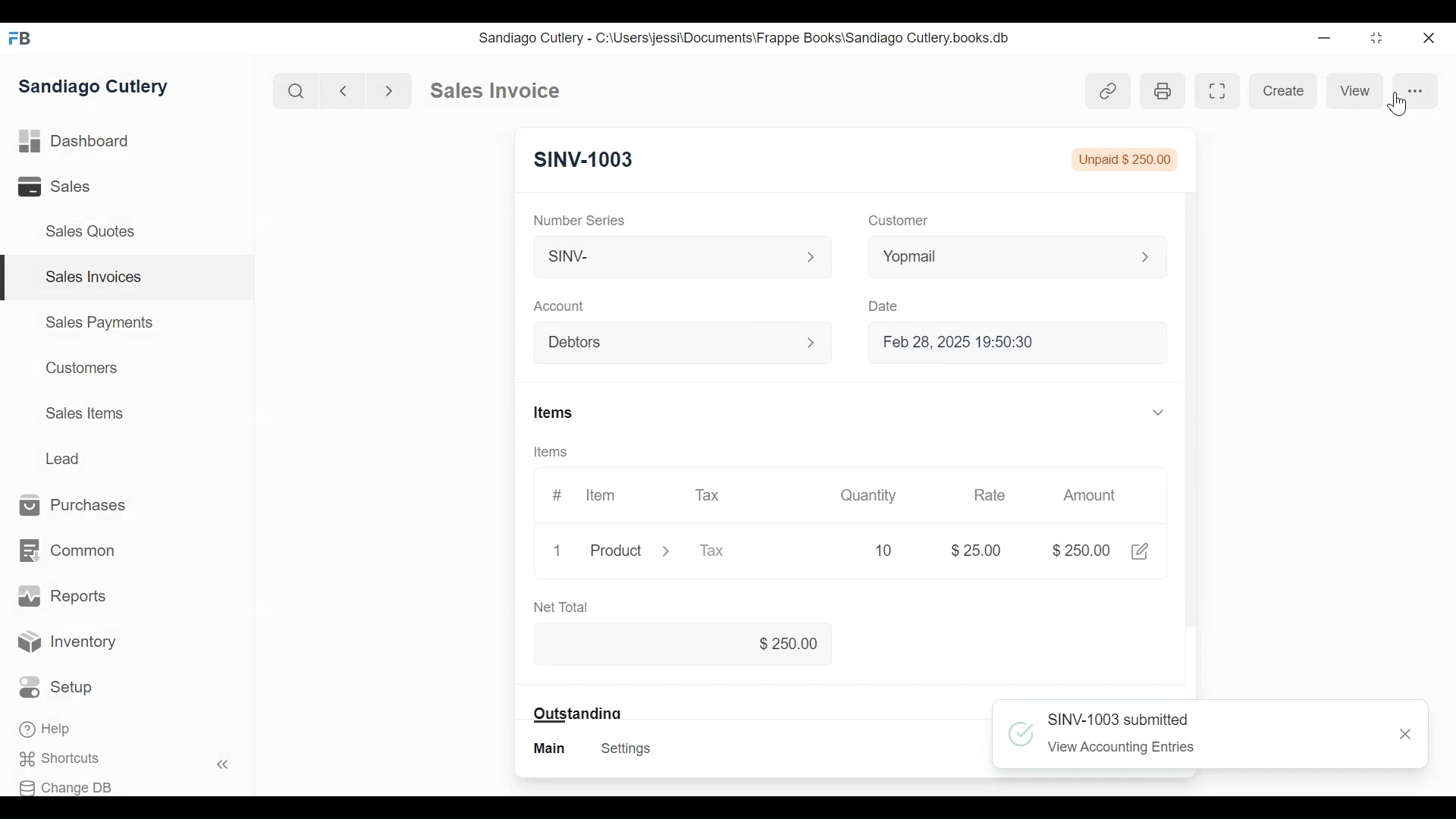  What do you see at coordinates (867, 496) in the screenshot?
I see `Quantity` at bounding box center [867, 496].